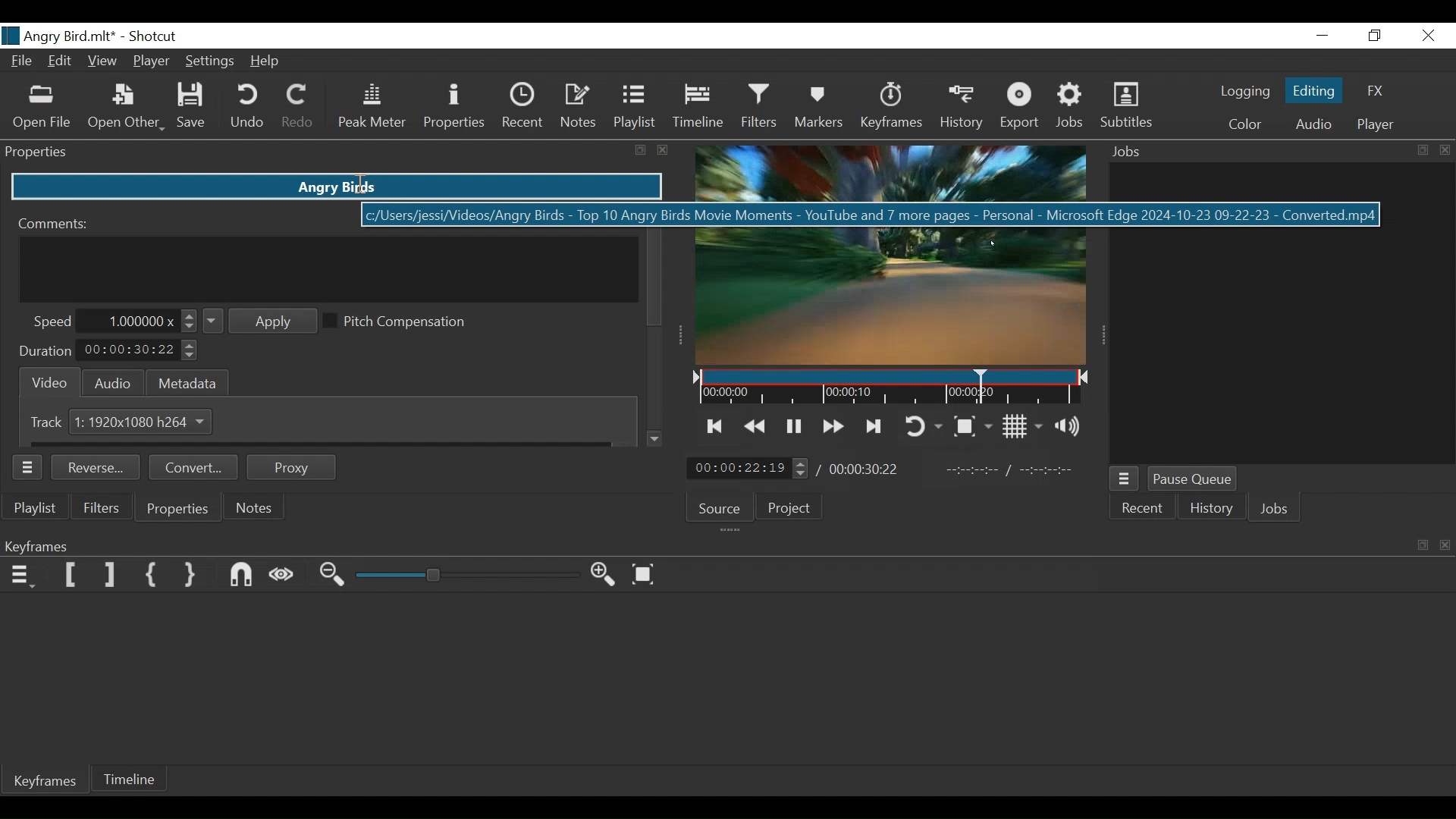 Image resolution: width=1456 pixels, height=819 pixels. Describe the element at coordinates (635, 106) in the screenshot. I see `Playlist` at that location.